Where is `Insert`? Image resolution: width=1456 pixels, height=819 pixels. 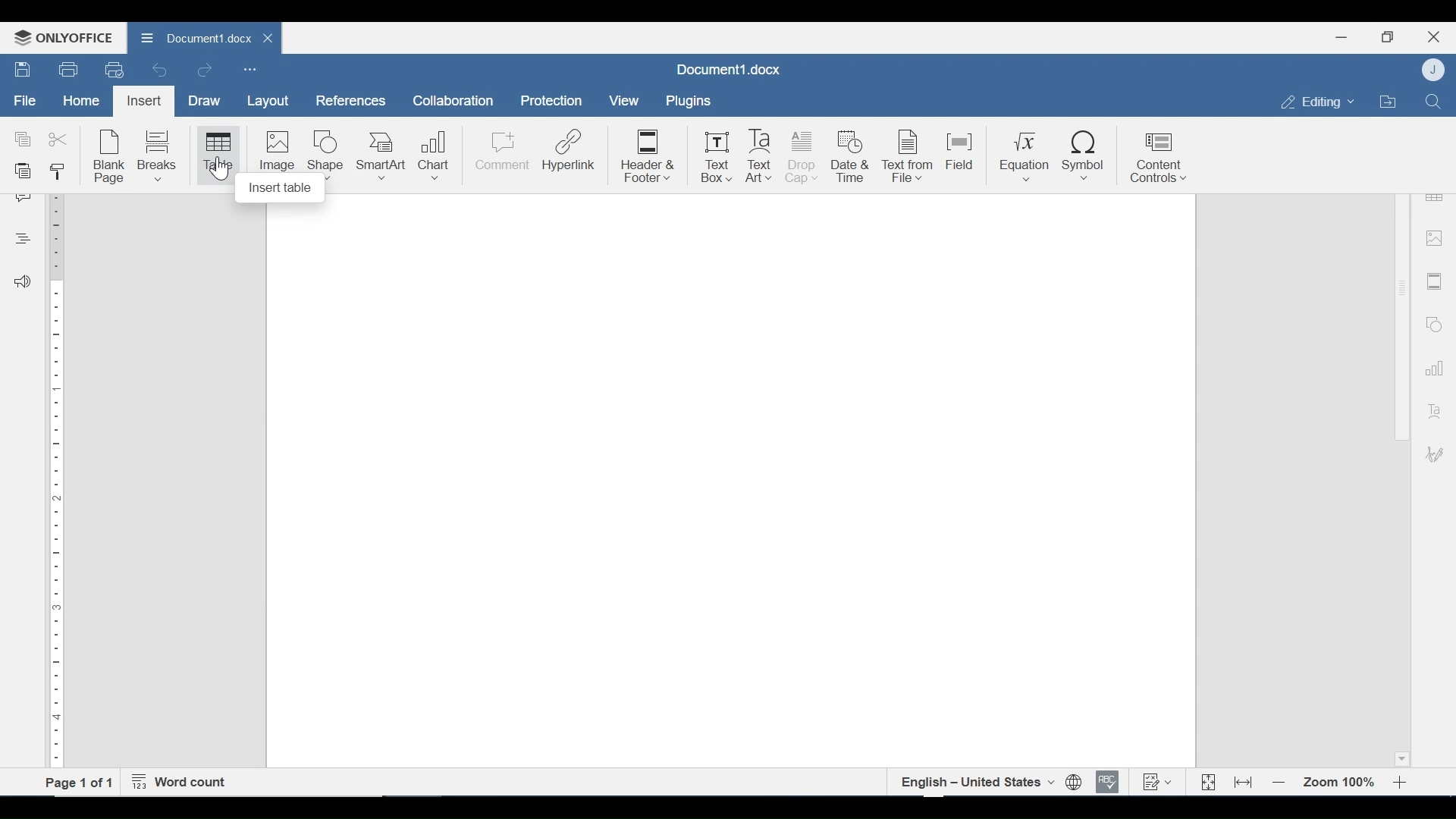 Insert is located at coordinates (143, 101).